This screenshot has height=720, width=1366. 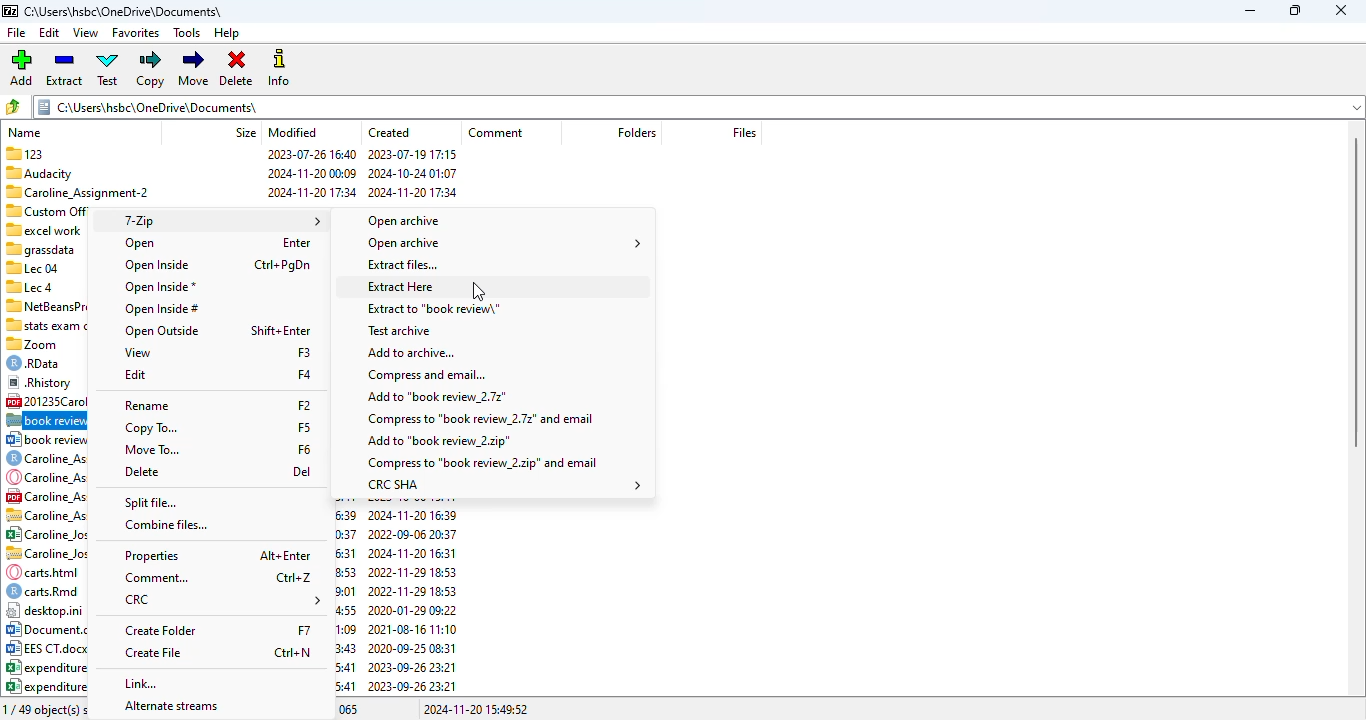 What do you see at coordinates (151, 428) in the screenshot?
I see `copy to` at bounding box center [151, 428].